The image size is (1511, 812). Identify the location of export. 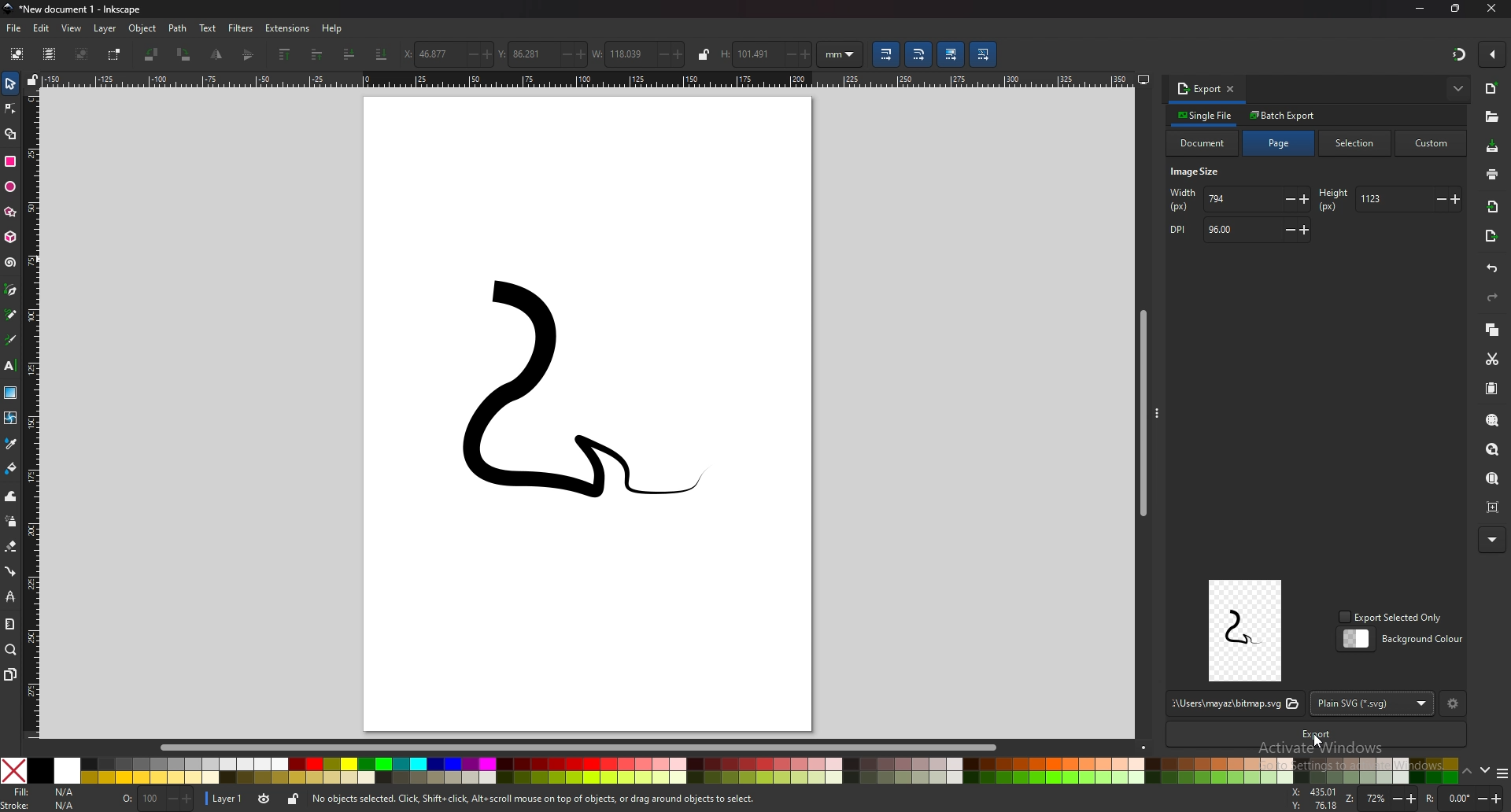
(1313, 735).